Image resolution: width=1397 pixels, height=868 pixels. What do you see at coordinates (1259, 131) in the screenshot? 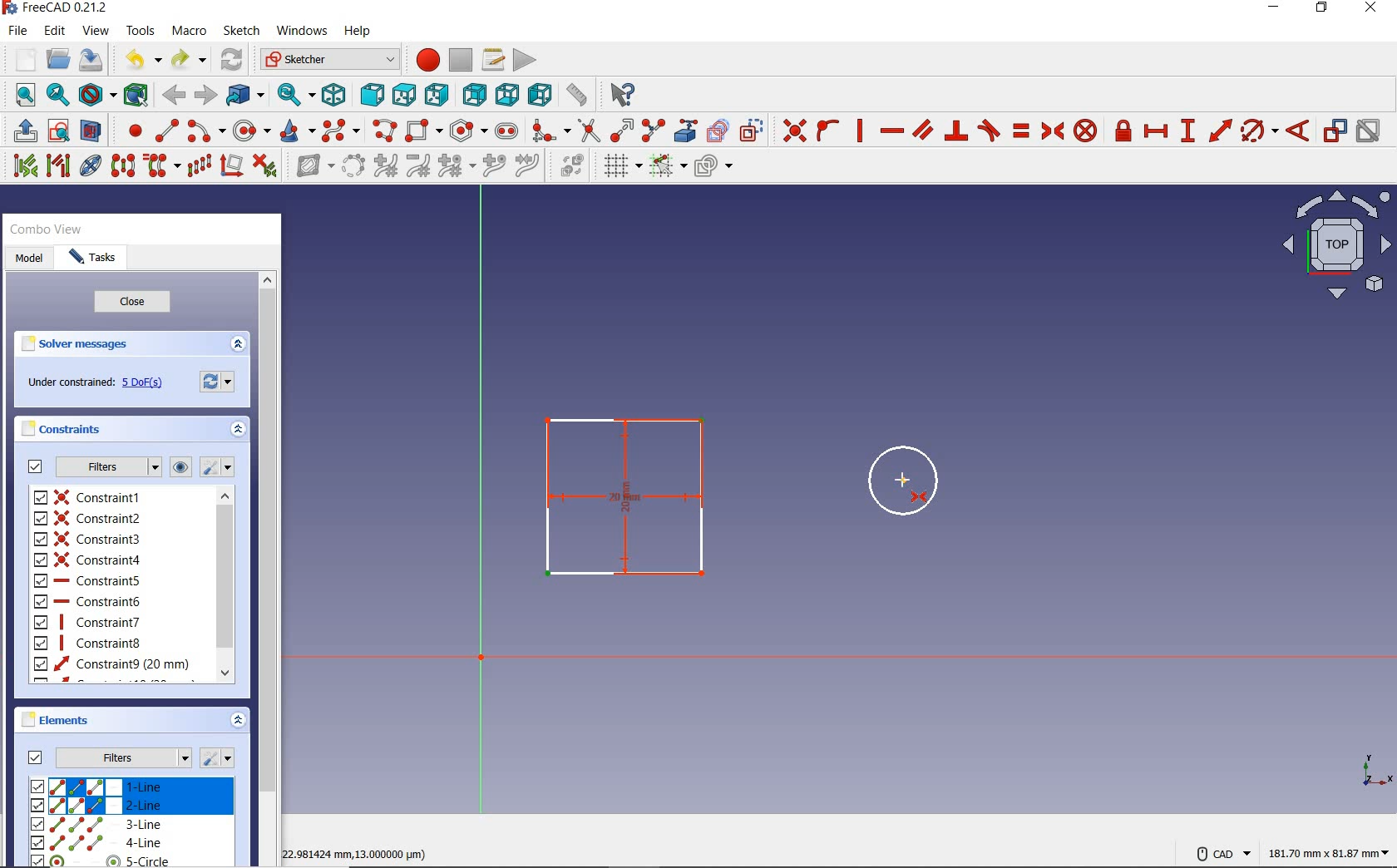
I see `constrain arc or circle` at bounding box center [1259, 131].